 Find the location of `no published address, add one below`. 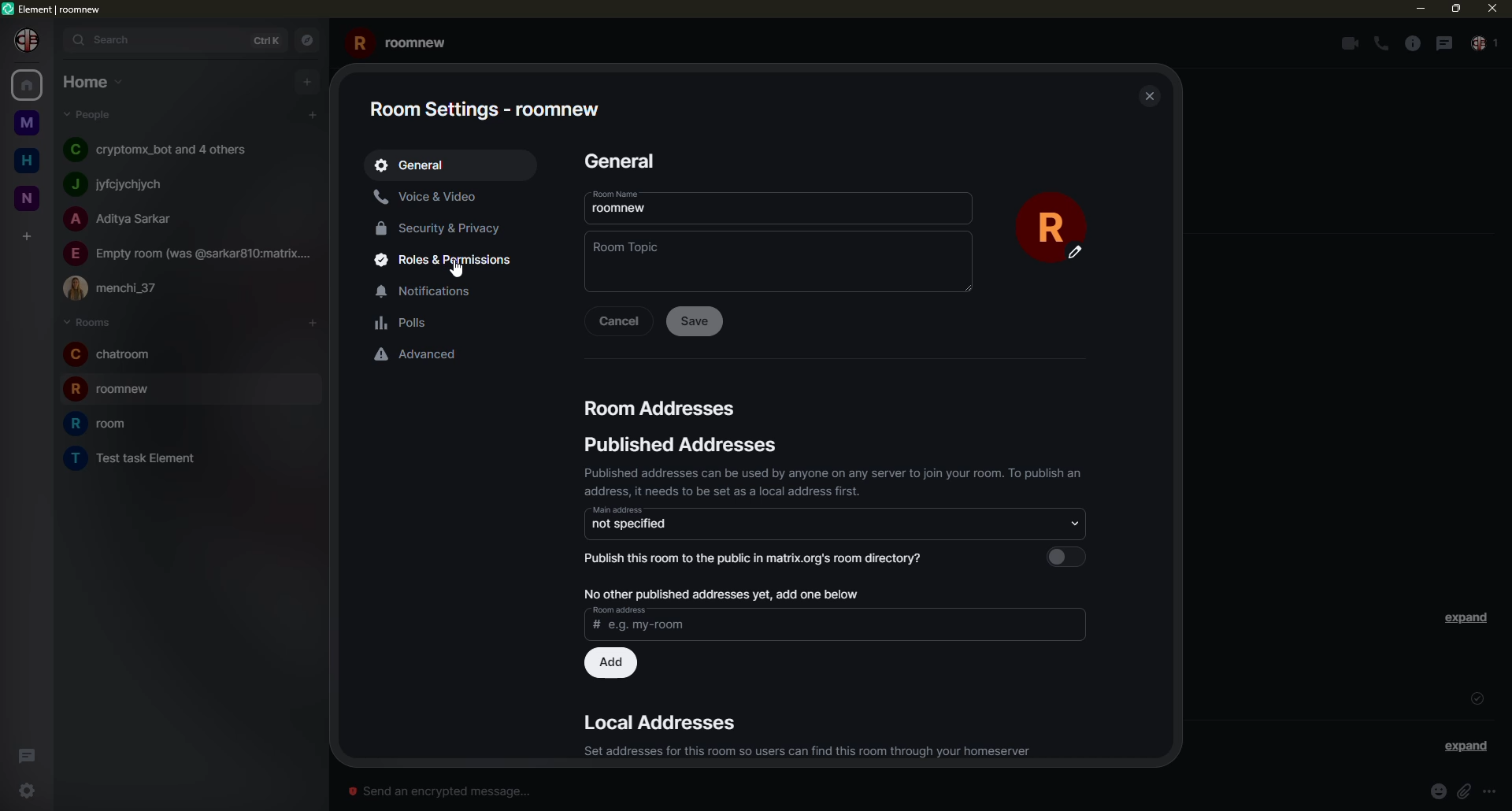

no published address, add one below is located at coordinates (724, 593).